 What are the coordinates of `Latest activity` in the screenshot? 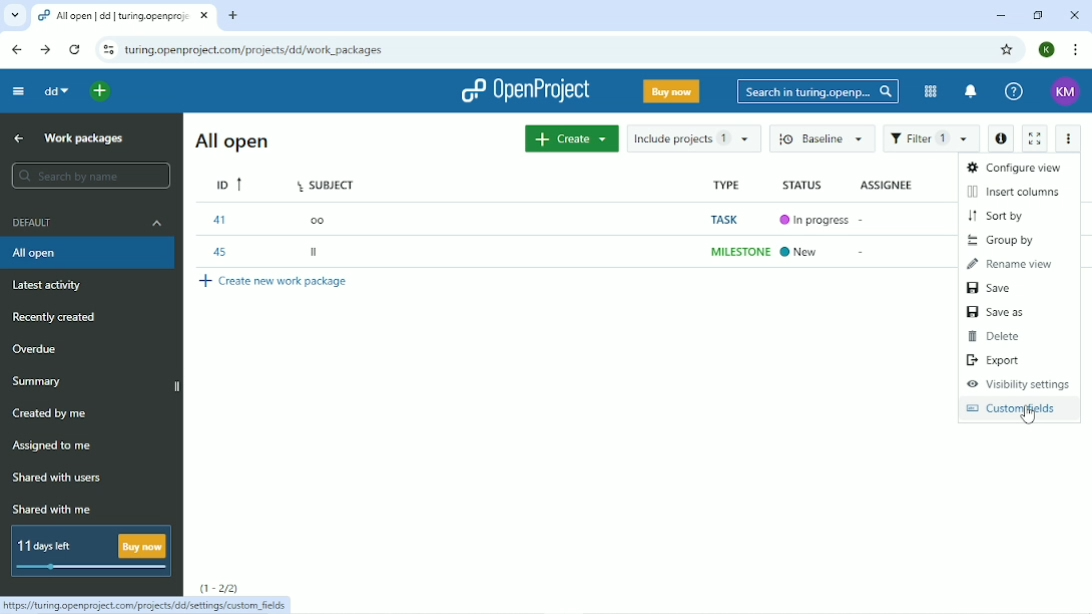 It's located at (50, 286).